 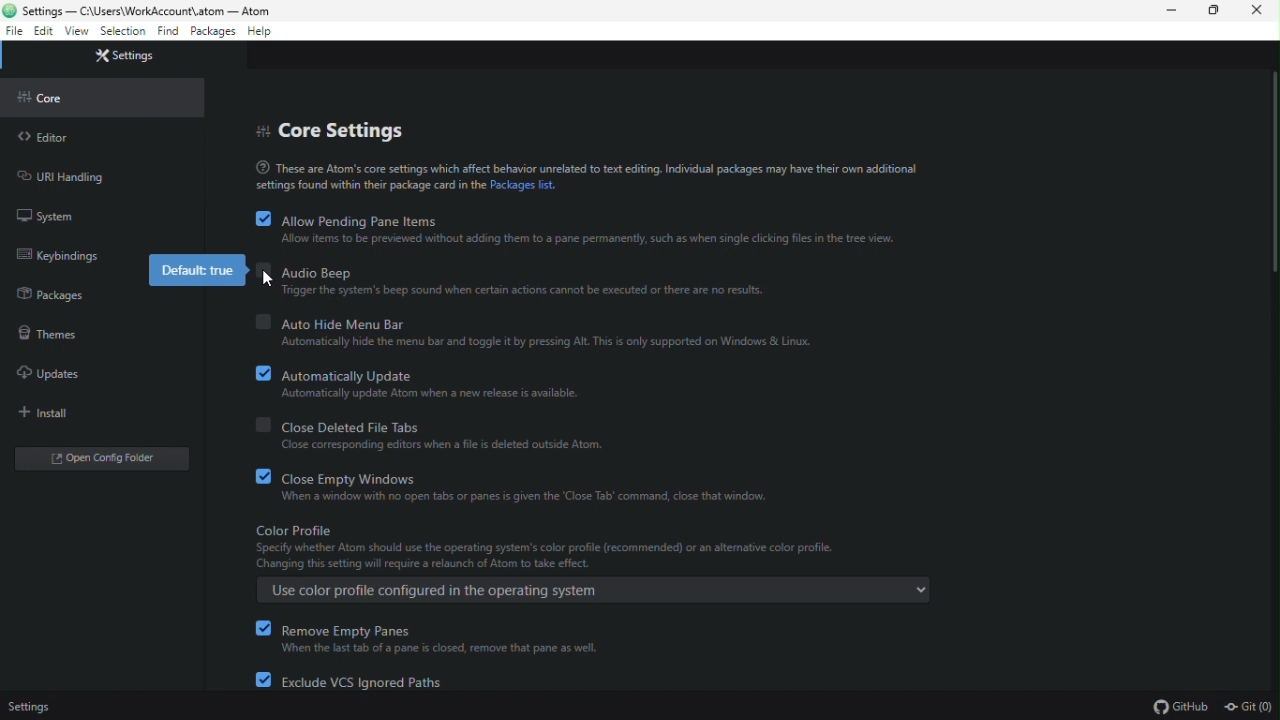 I want to click on system, so click(x=49, y=217).